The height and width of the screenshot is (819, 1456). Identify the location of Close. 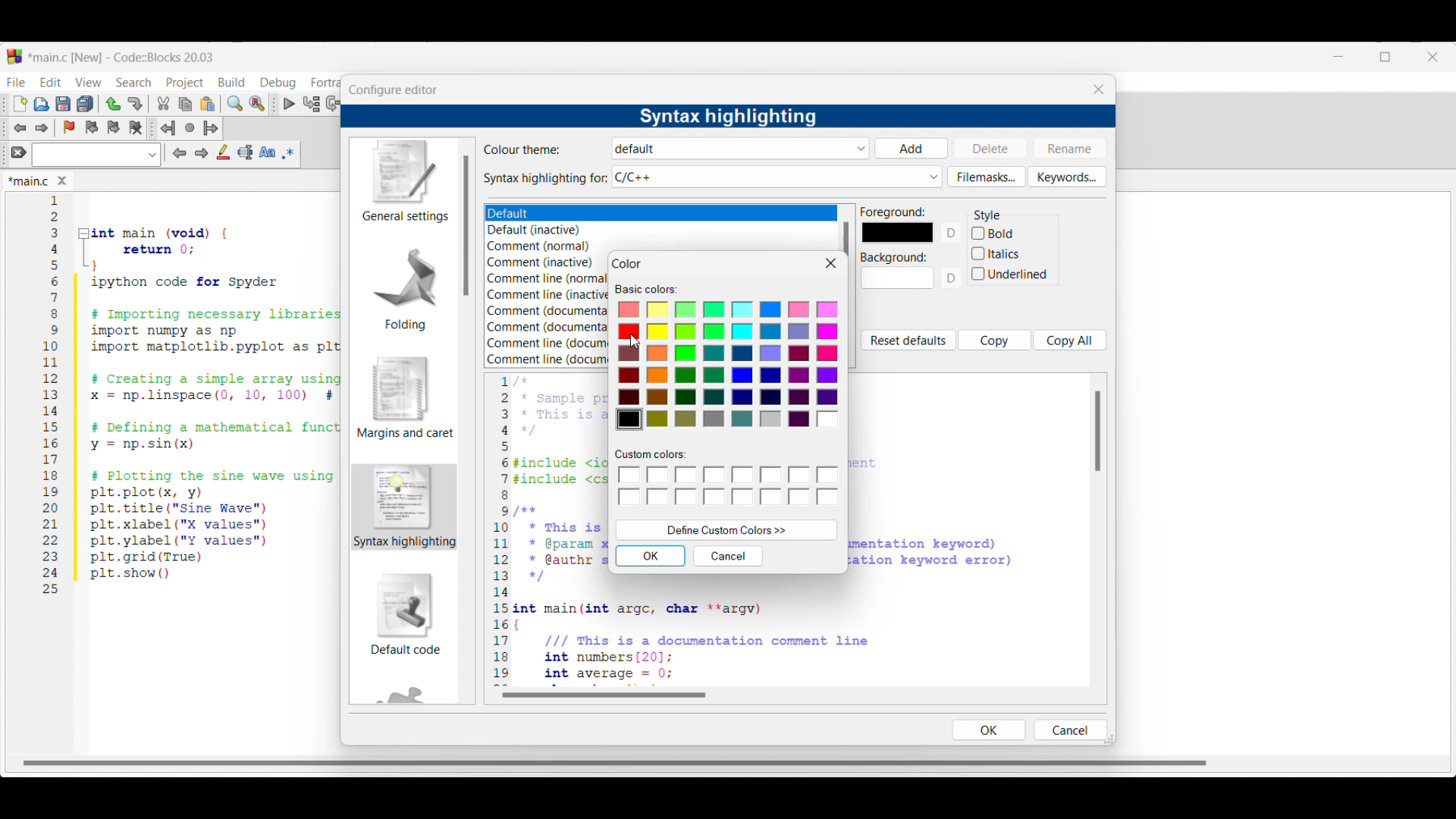
(831, 263).